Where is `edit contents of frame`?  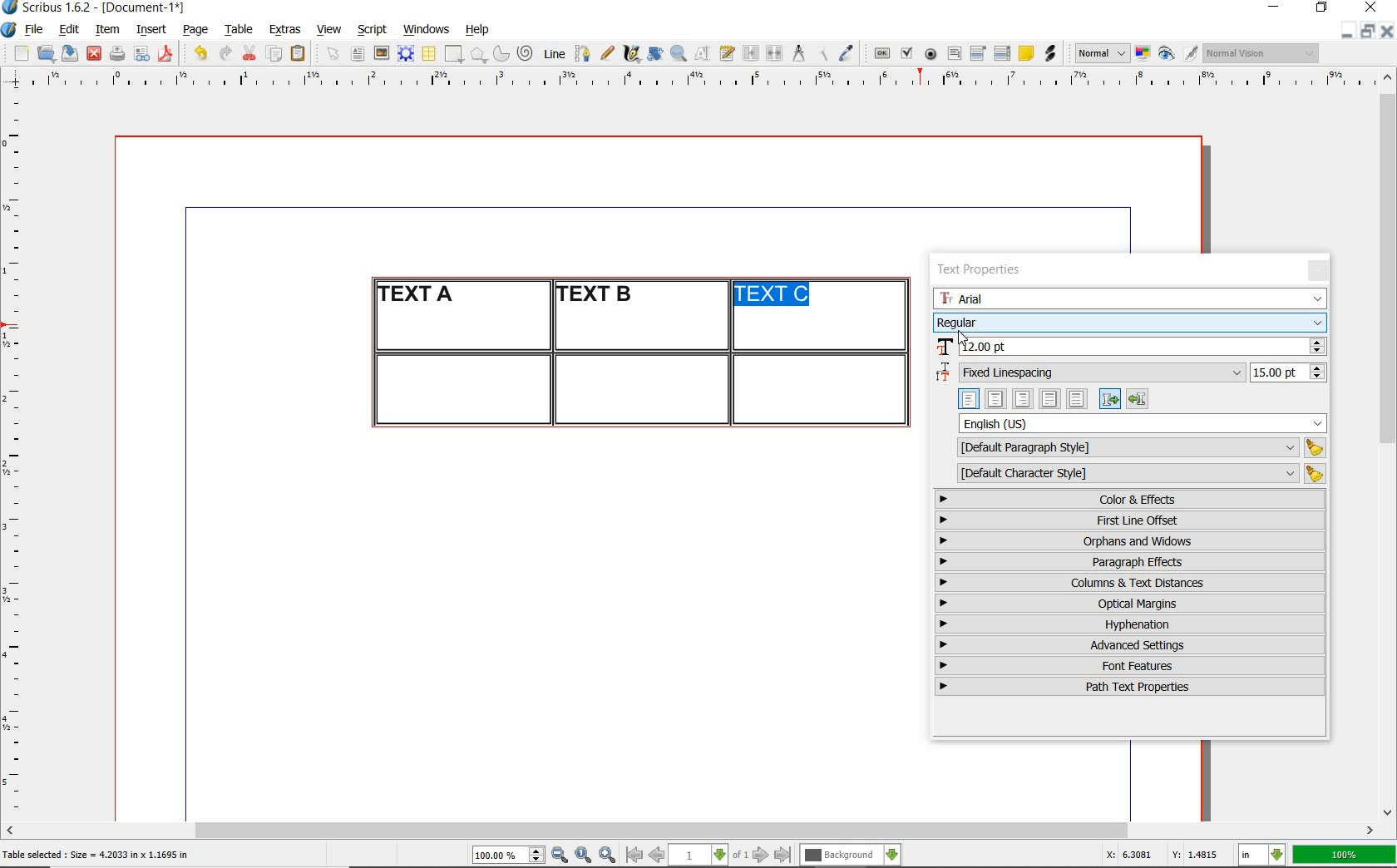
edit contents of frame is located at coordinates (703, 52).